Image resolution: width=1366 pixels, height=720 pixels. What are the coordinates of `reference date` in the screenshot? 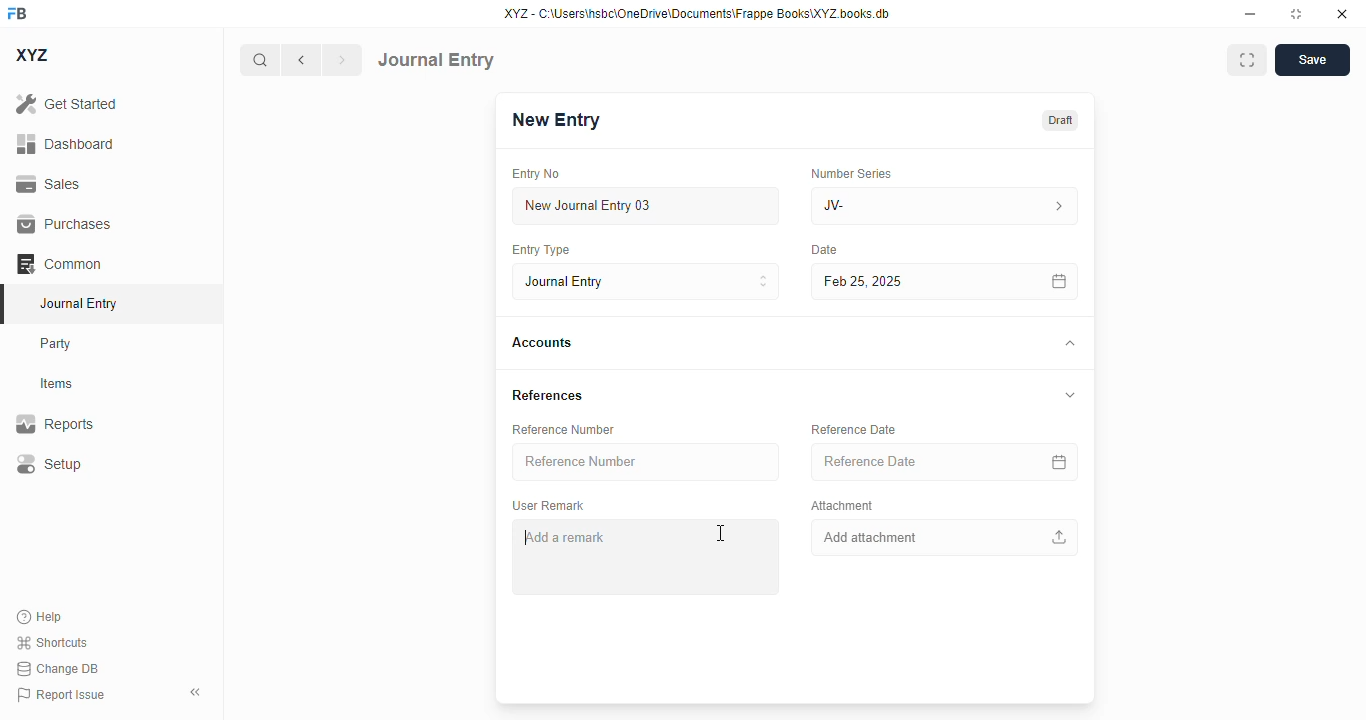 It's located at (902, 462).